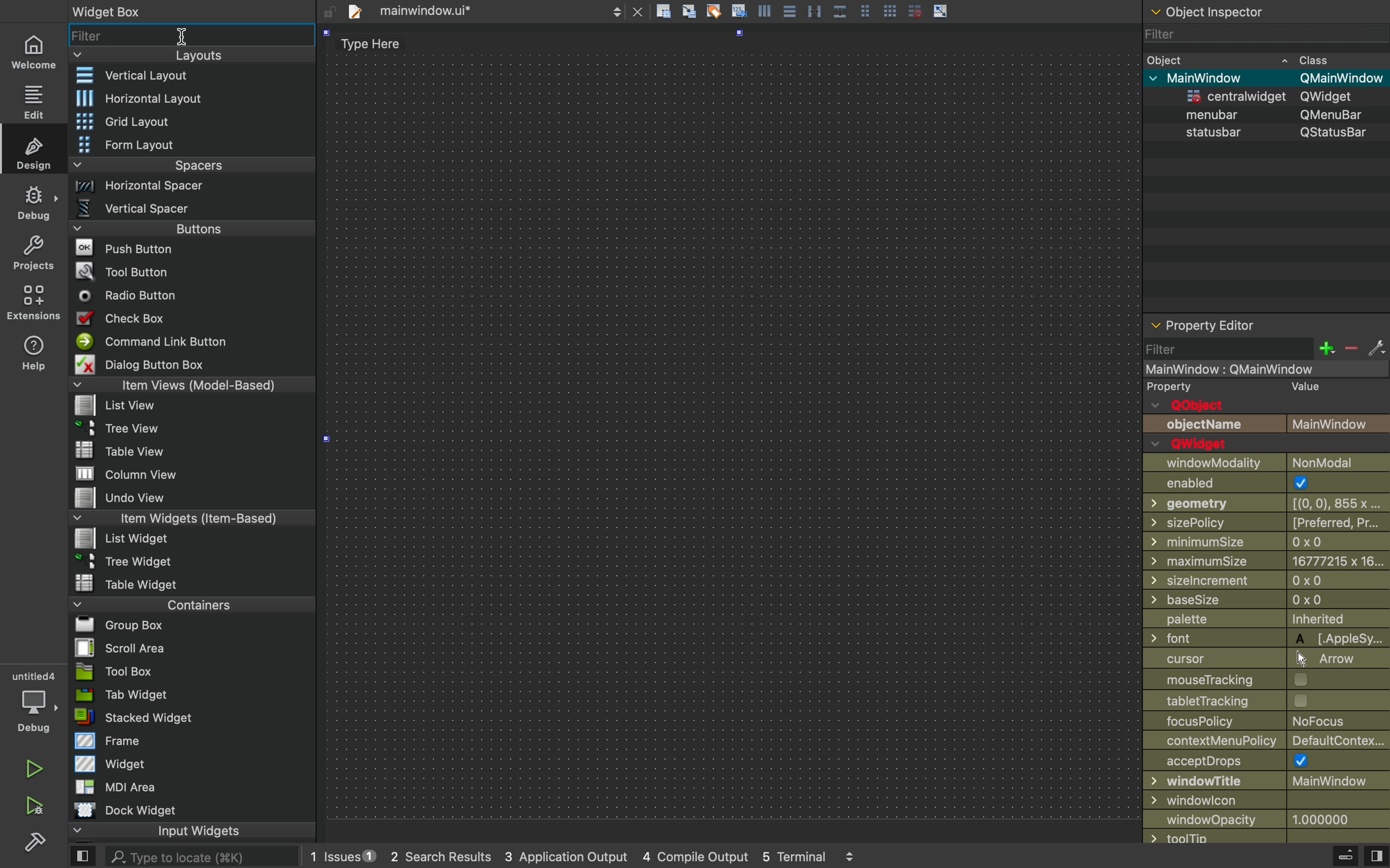 This screenshot has height=868, width=1390. I want to click on list widget, so click(192, 538).